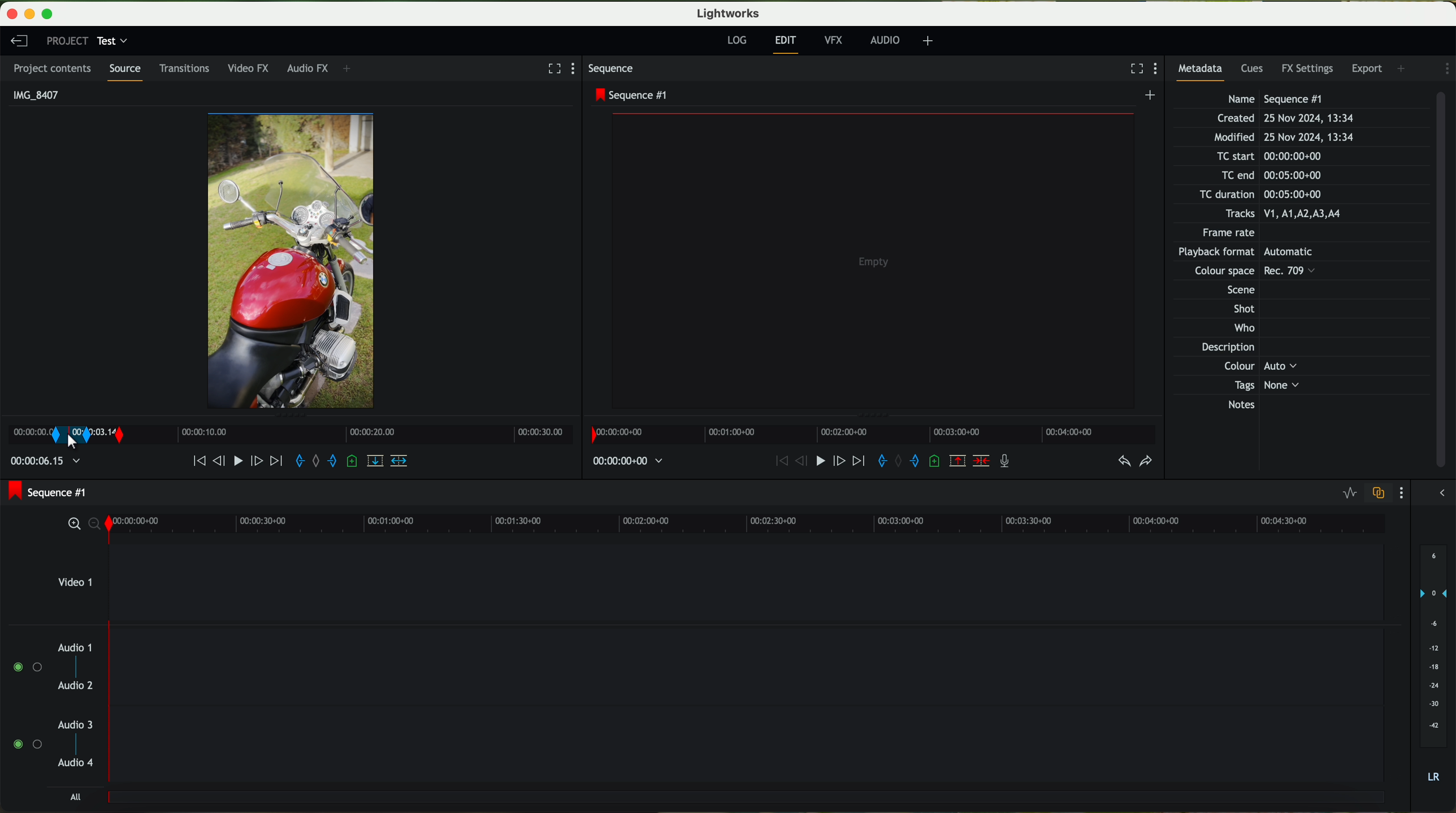 The image size is (1456, 813). Describe the element at coordinates (552, 68) in the screenshot. I see `fullscreen` at that location.